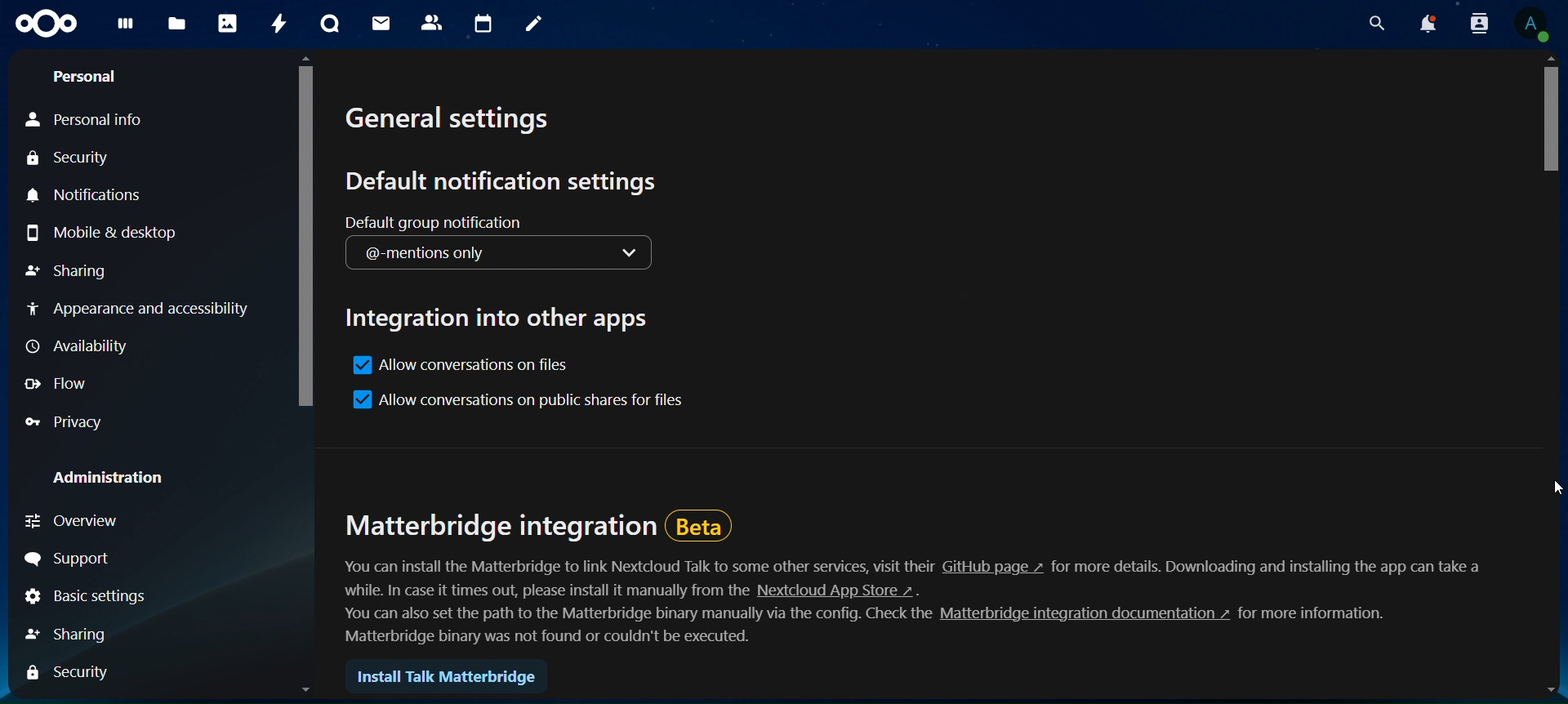  What do you see at coordinates (839, 590) in the screenshot?
I see `hyperlink` at bounding box center [839, 590].